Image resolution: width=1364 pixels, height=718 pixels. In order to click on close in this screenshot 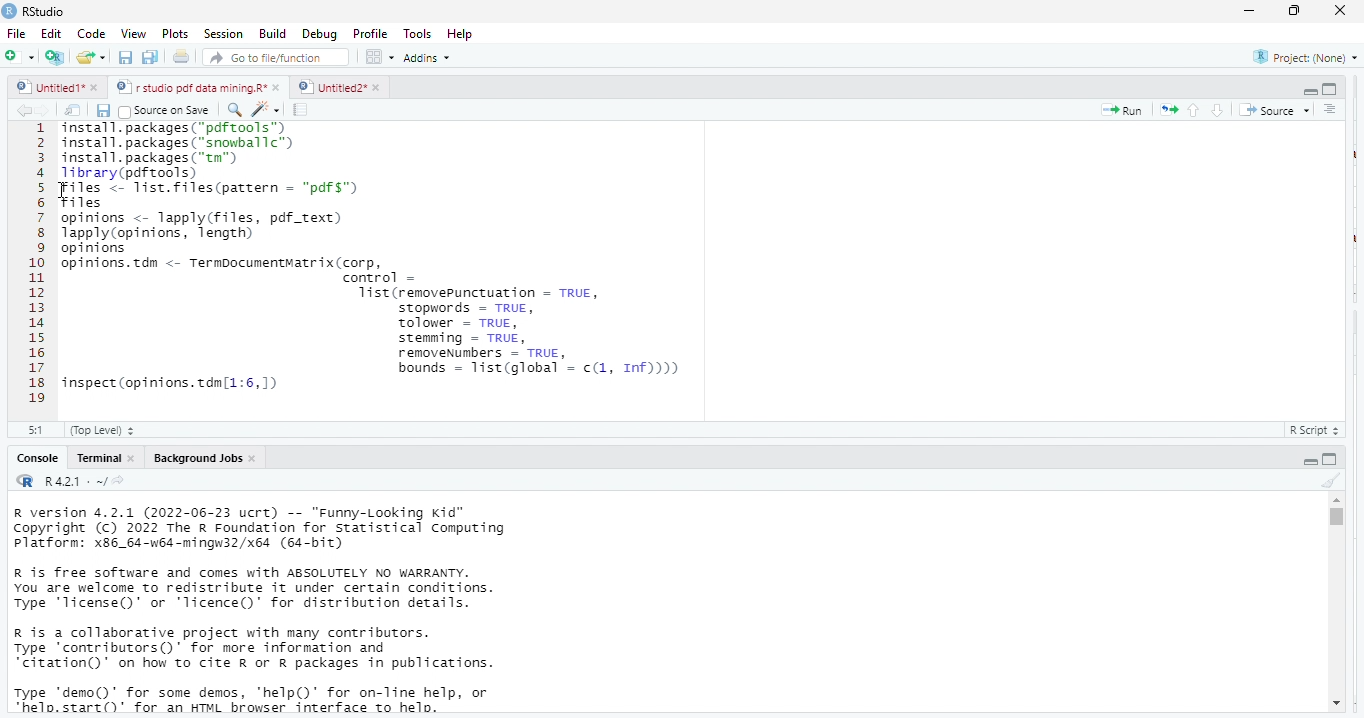, I will do `click(255, 458)`.